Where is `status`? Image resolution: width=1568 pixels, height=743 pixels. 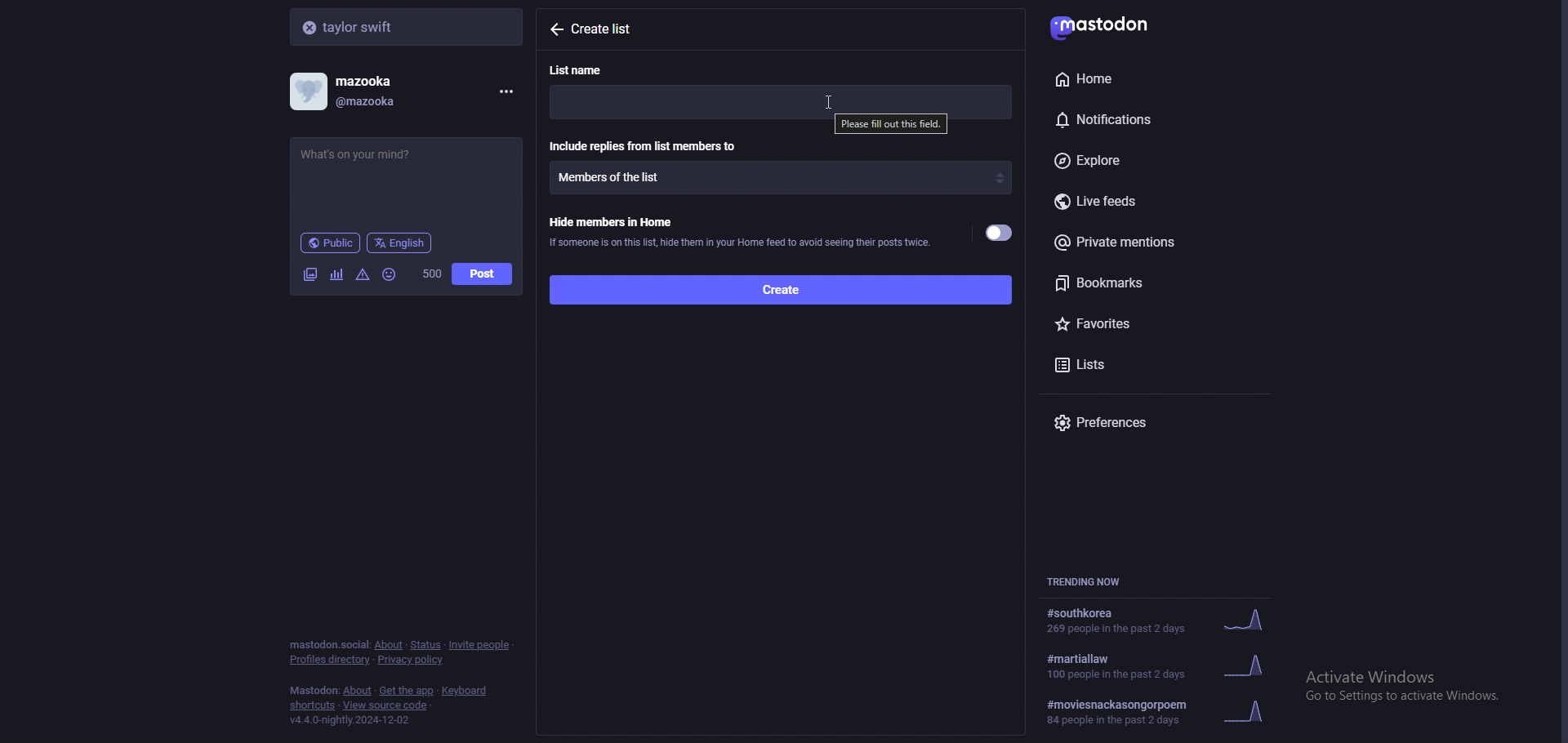
status is located at coordinates (425, 645).